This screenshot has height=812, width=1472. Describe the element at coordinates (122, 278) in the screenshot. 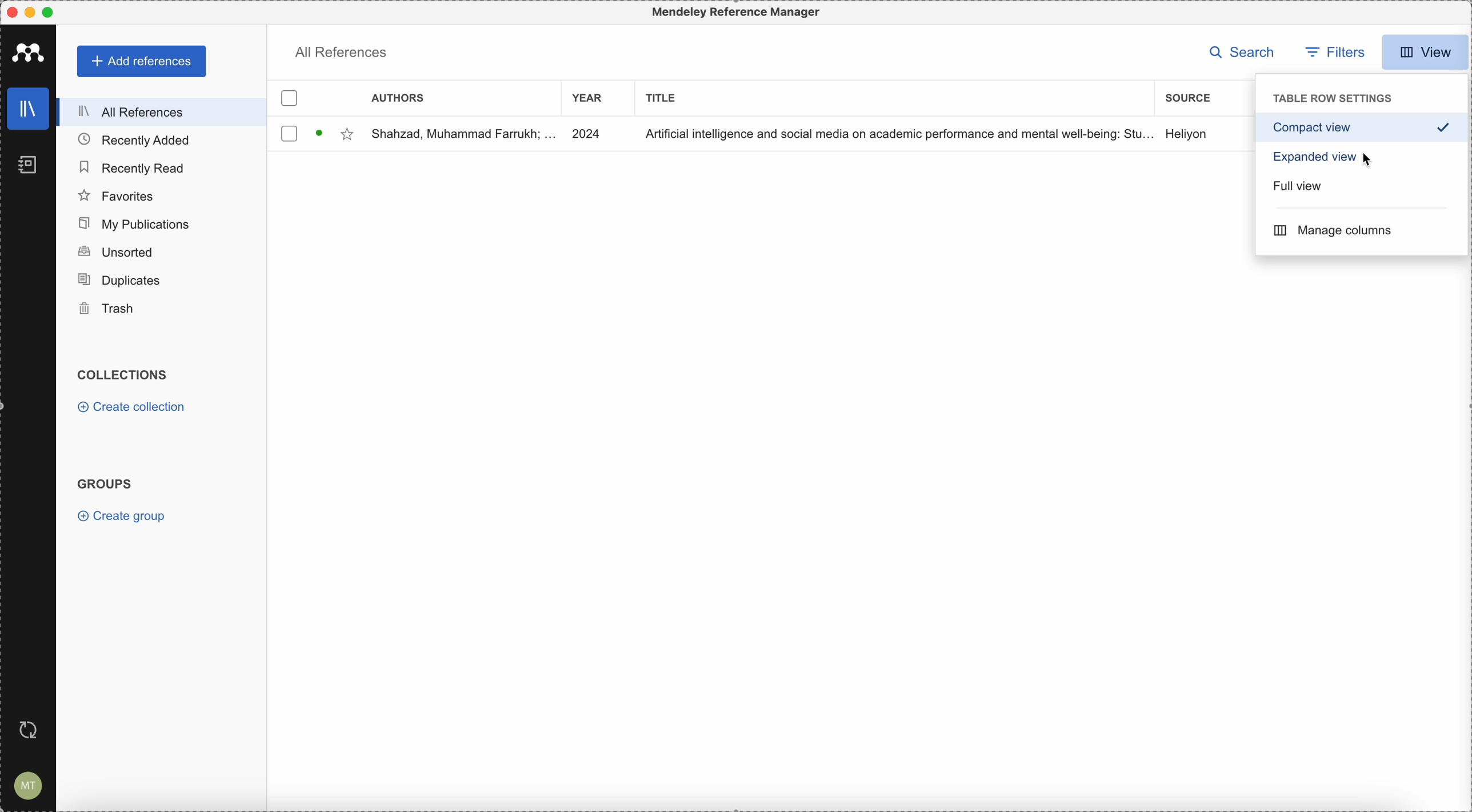

I see `duplicates` at that location.